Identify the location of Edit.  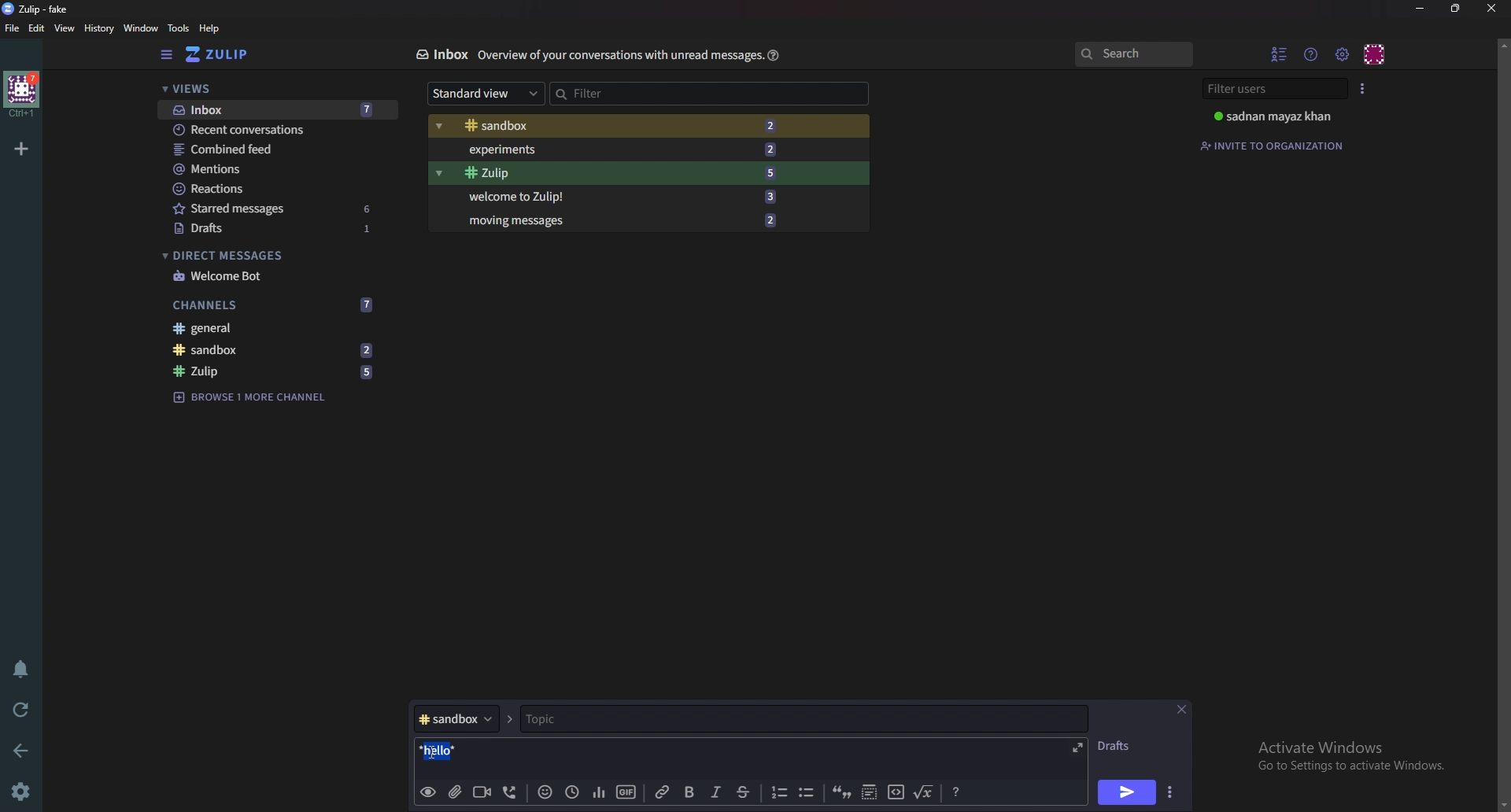
(37, 31).